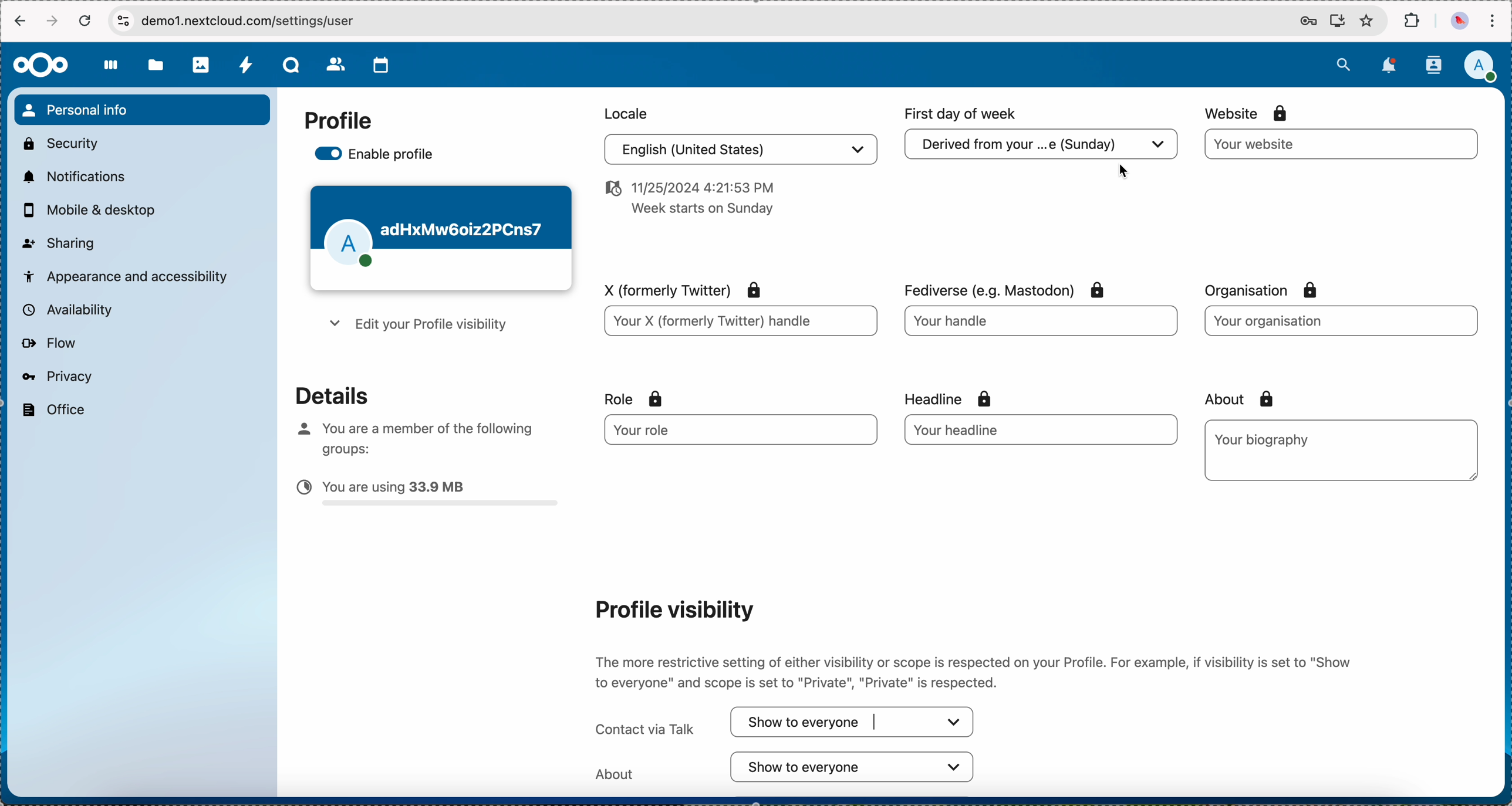  I want to click on website, so click(1342, 144).